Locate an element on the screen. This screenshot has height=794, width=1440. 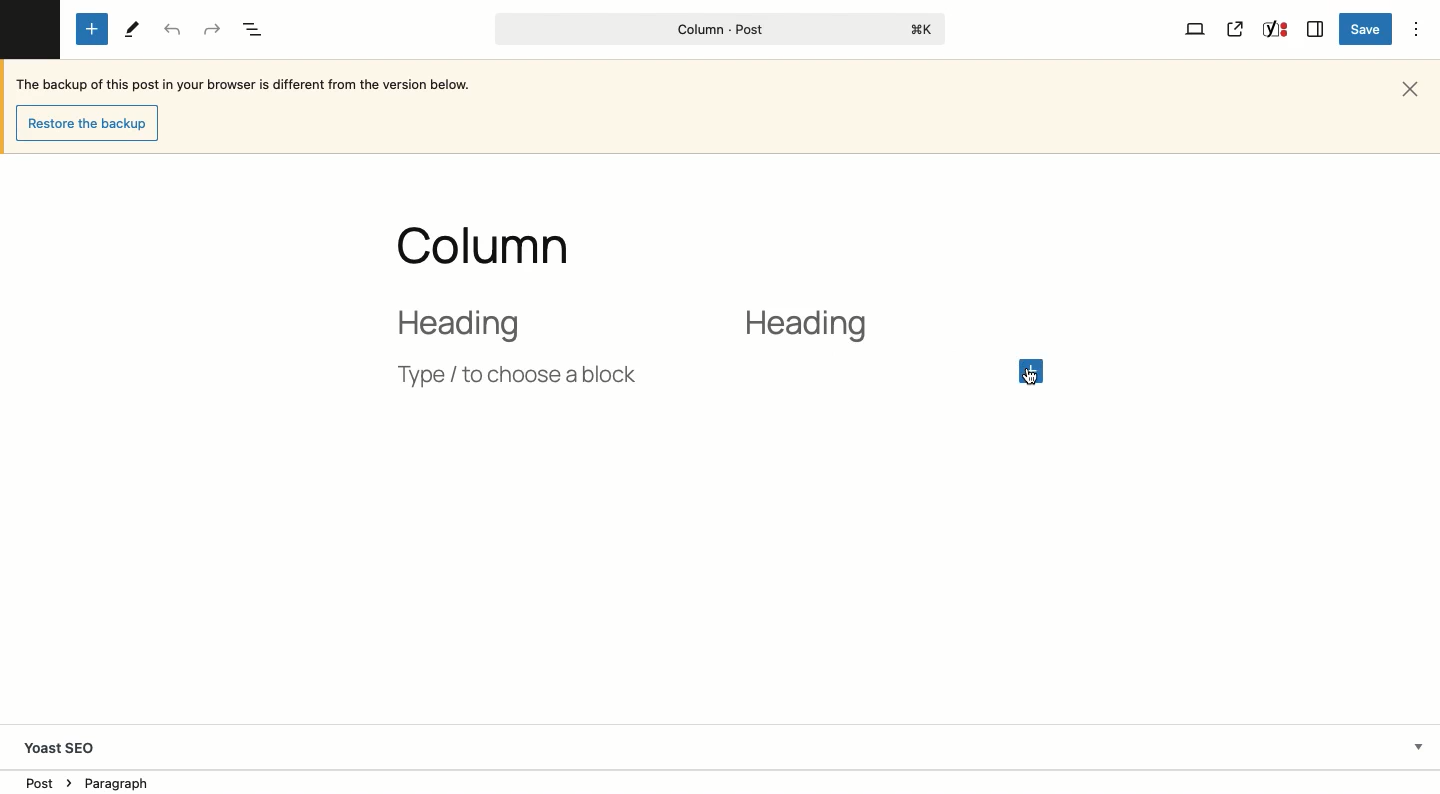
Hide is located at coordinates (1418, 745).